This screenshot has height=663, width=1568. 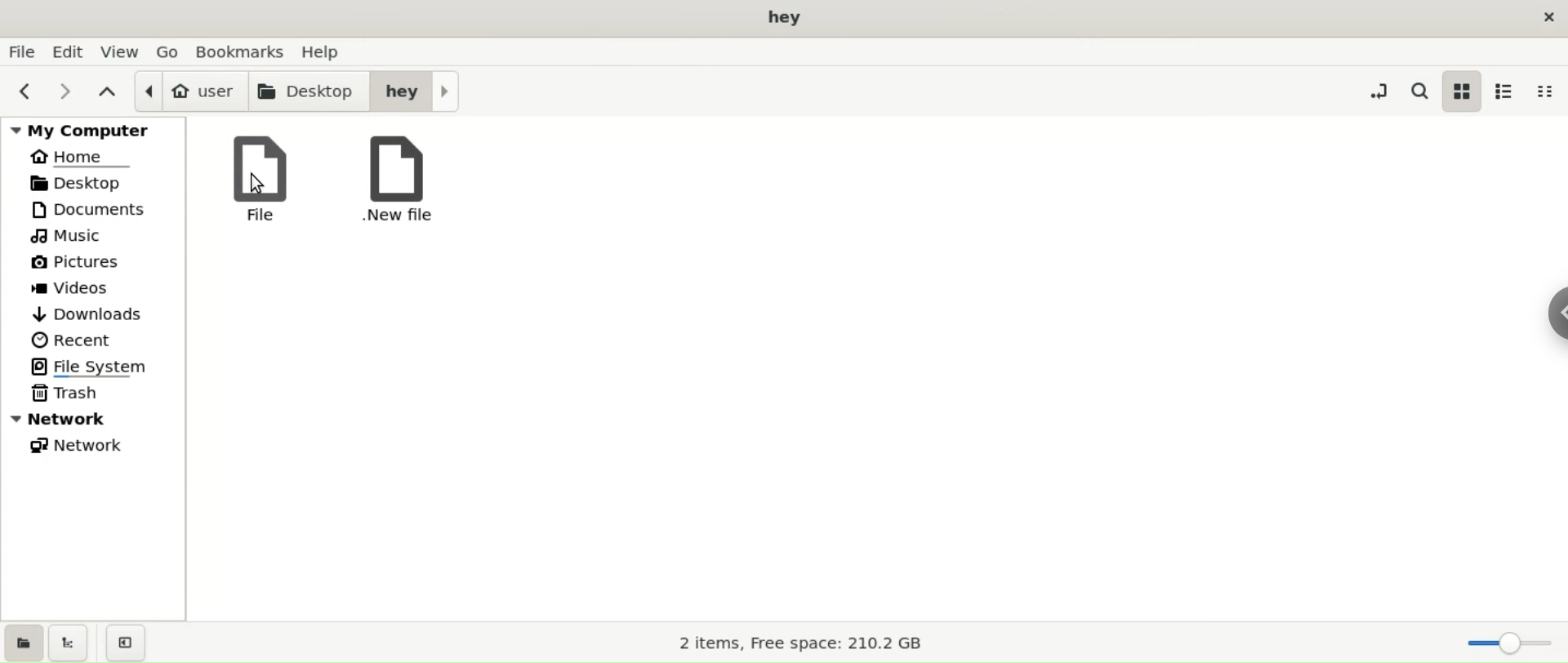 What do you see at coordinates (271, 177) in the screenshot?
I see `file` at bounding box center [271, 177].